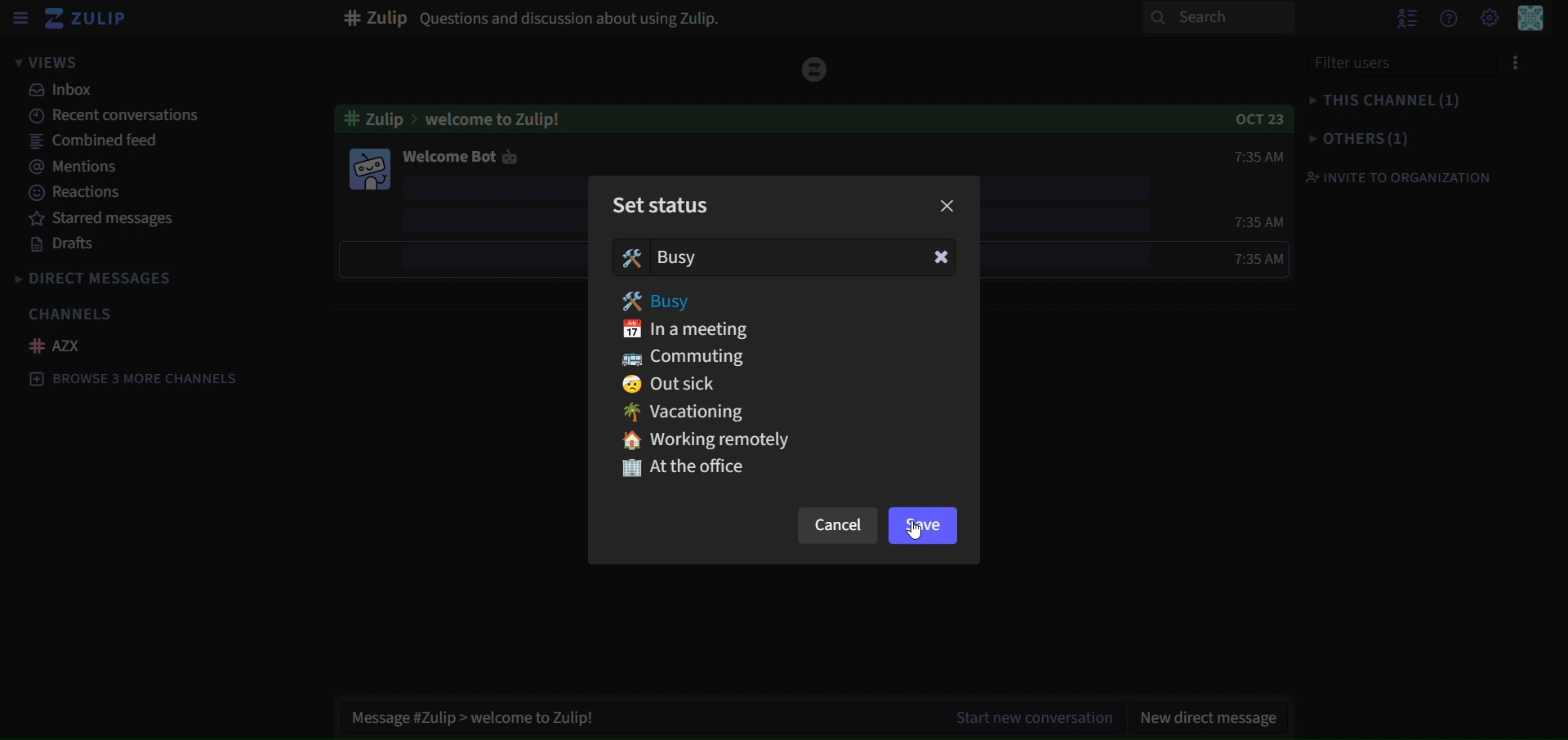 This screenshot has width=1568, height=740. What do you see at coordinates (1410, 17) in the screenshot?
I see `show user list` at bounding box center [1410, 17].